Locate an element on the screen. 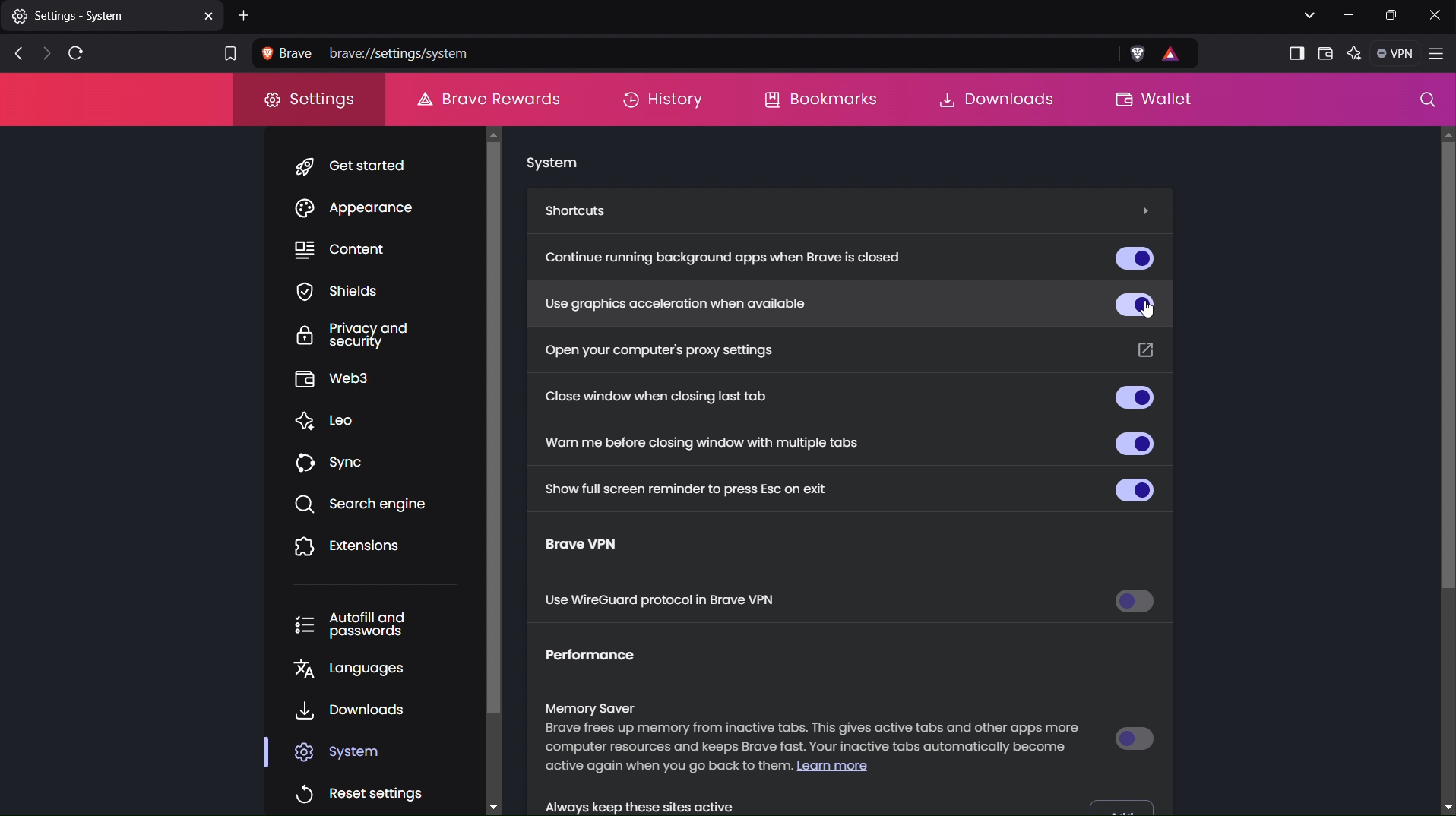  Brave VPN is located at coordinates (597, 547).